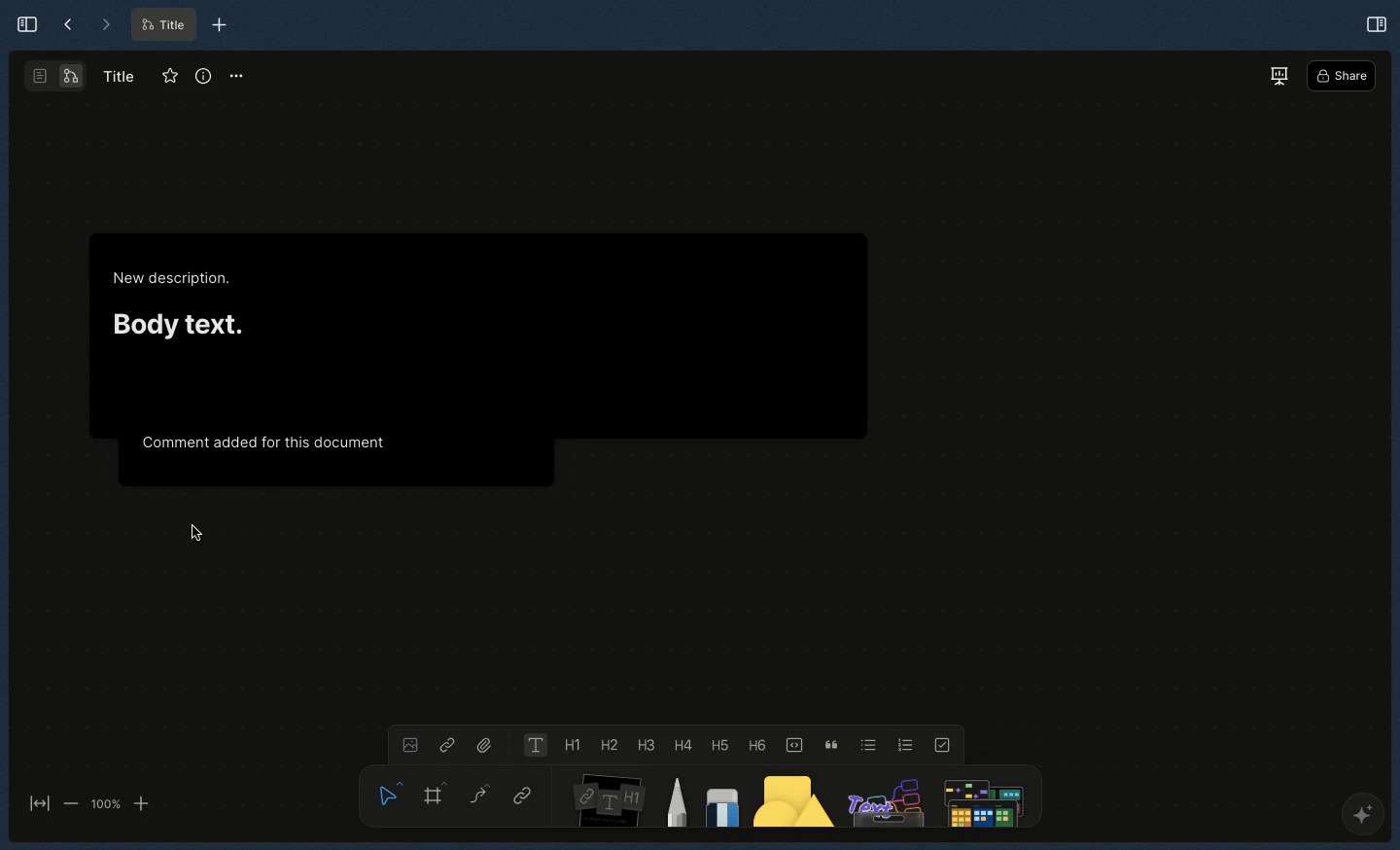 The image size is (1400, 850). Describe the element at coordinates (828, 743) in the screenshot. I see `Quote` at that location.